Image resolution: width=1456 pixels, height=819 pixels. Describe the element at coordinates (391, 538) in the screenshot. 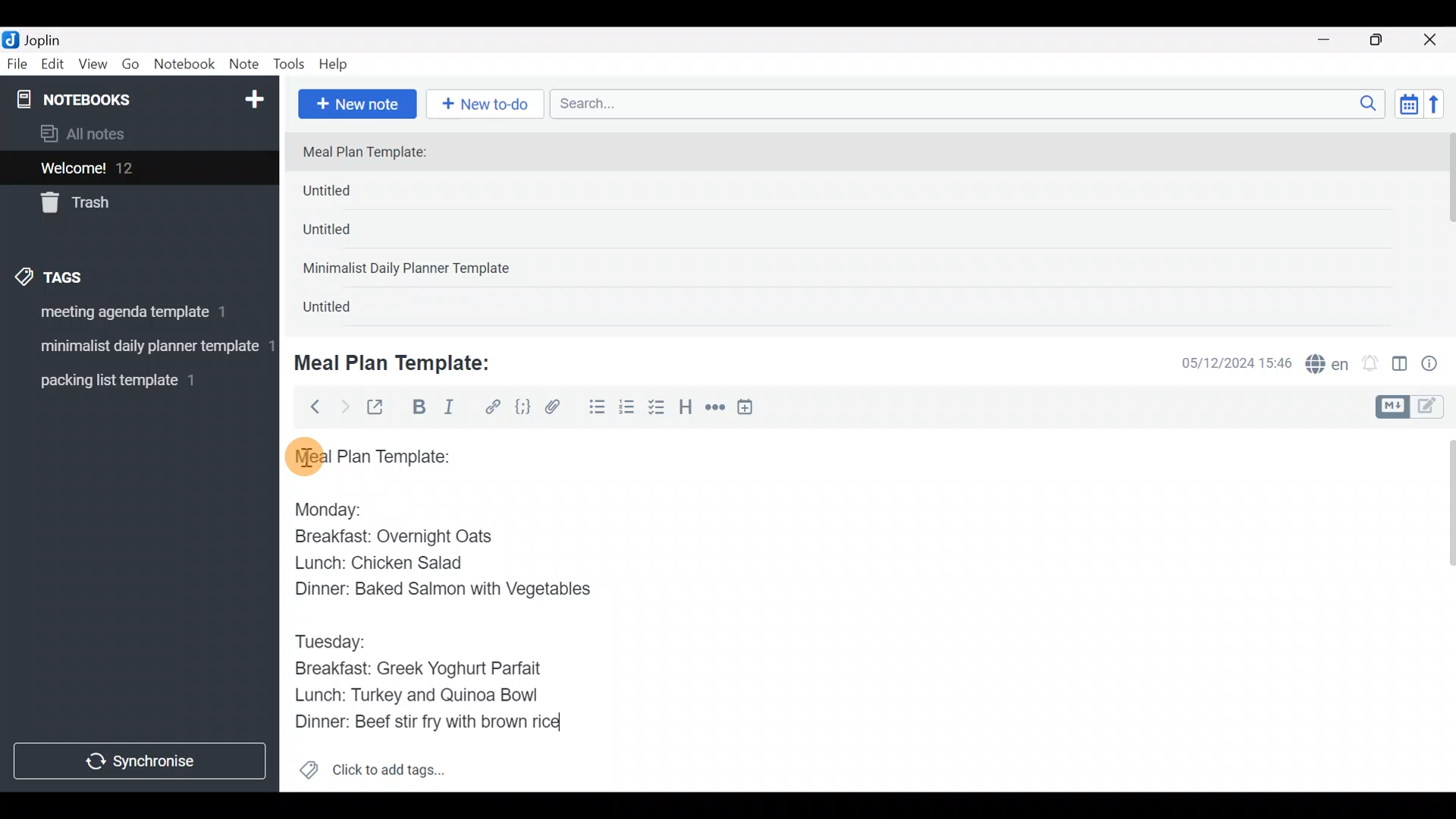

I see `Breakfast: Overnight Oats` at that location.